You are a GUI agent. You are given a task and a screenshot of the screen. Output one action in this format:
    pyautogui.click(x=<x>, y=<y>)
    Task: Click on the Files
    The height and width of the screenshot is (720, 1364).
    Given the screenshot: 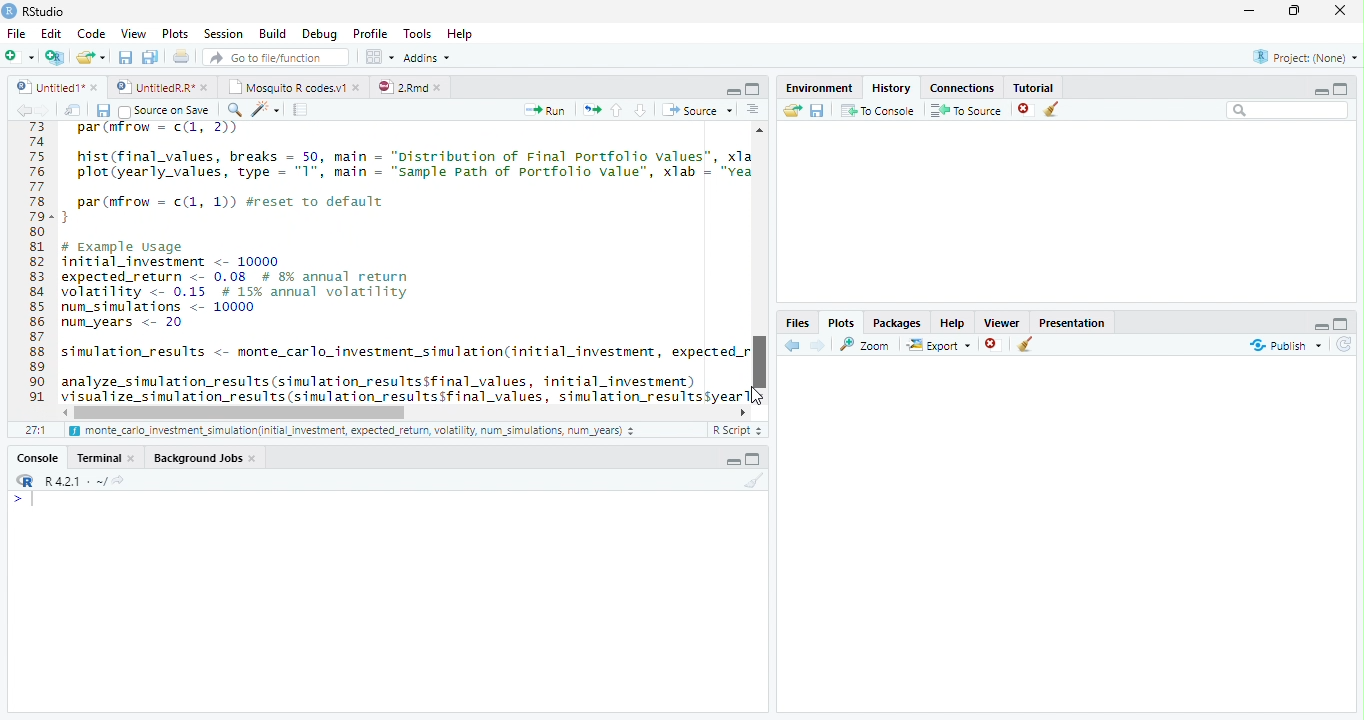 What is the action you would take?
    pyautogui.click(x=798, y=322)
    